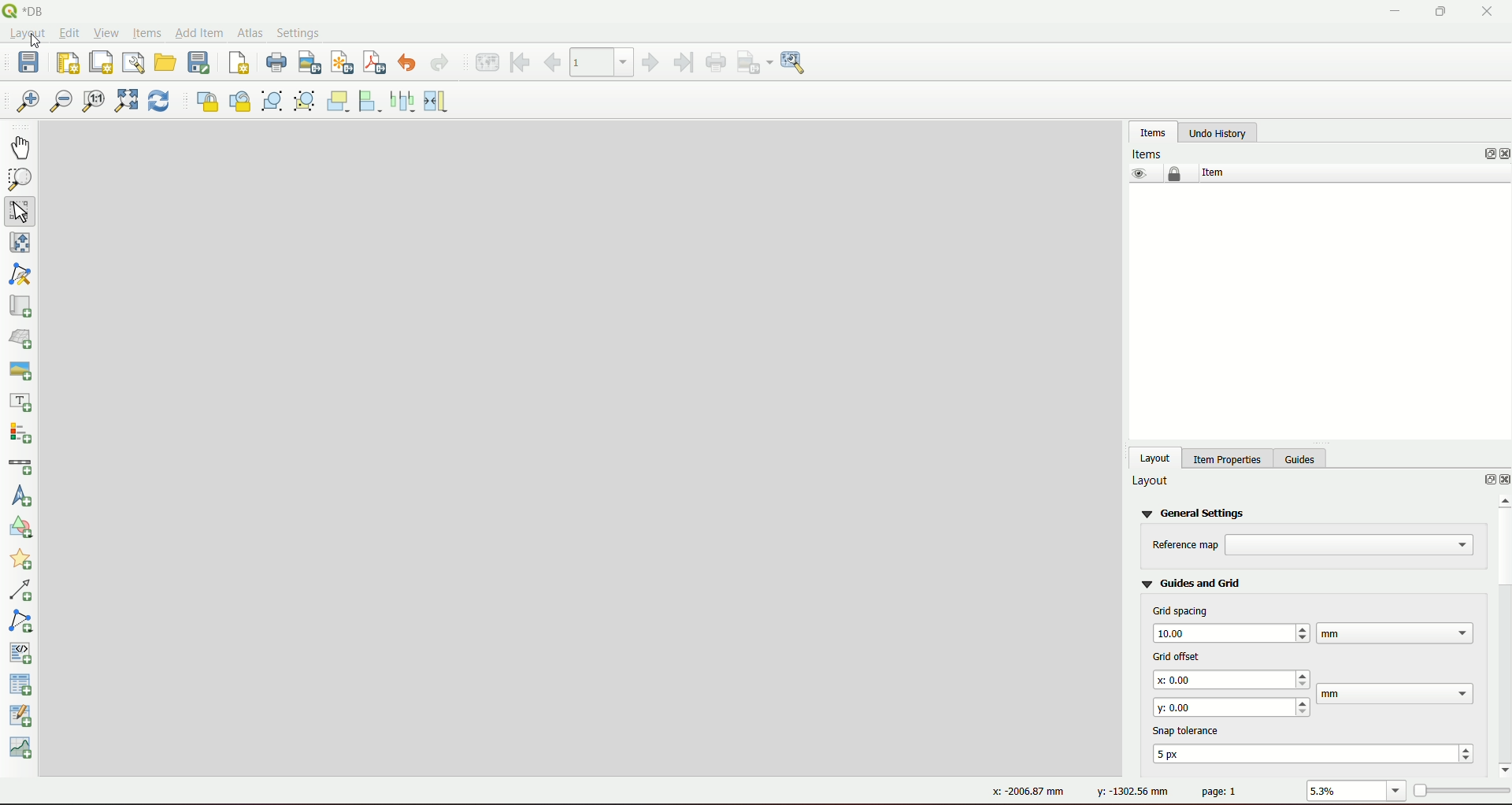 Image resolution: width=1512 pixels, height=805 pixels. I want to click on Items, so click(1150, 153).